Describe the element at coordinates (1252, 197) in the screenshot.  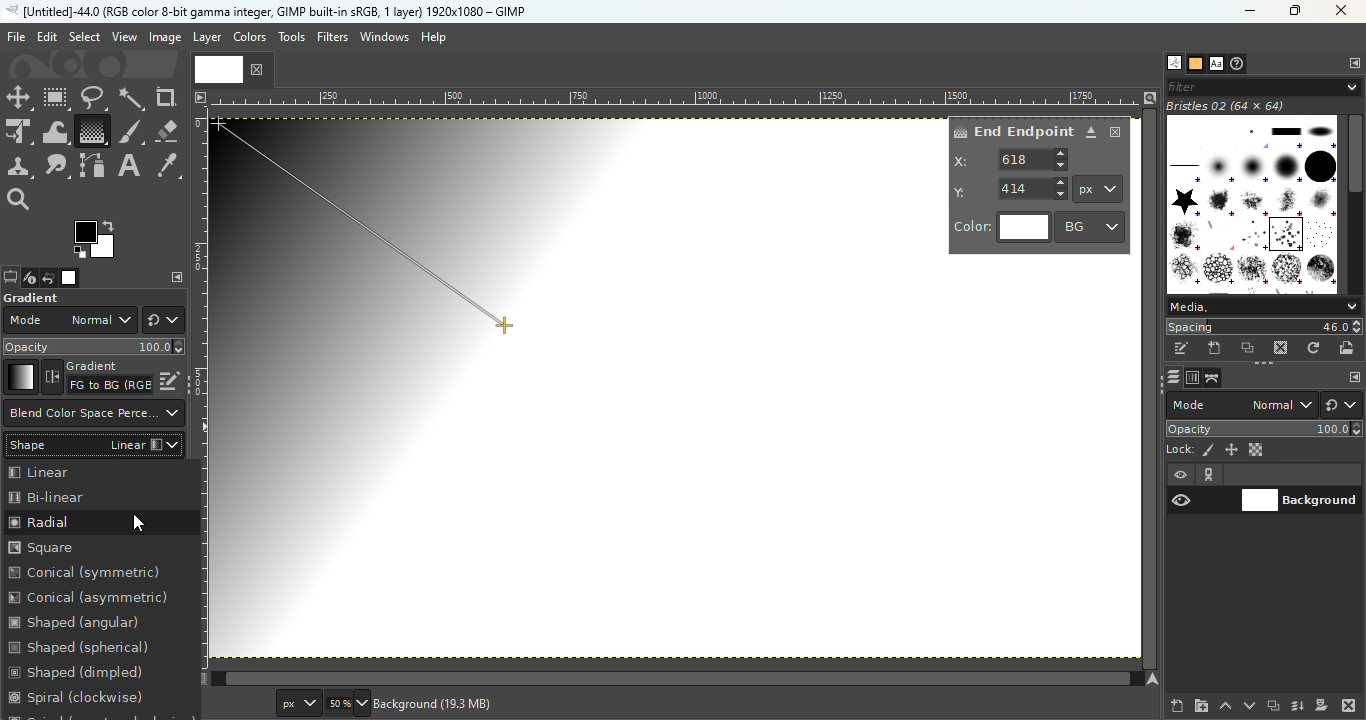
I see `Image Box` at that location.